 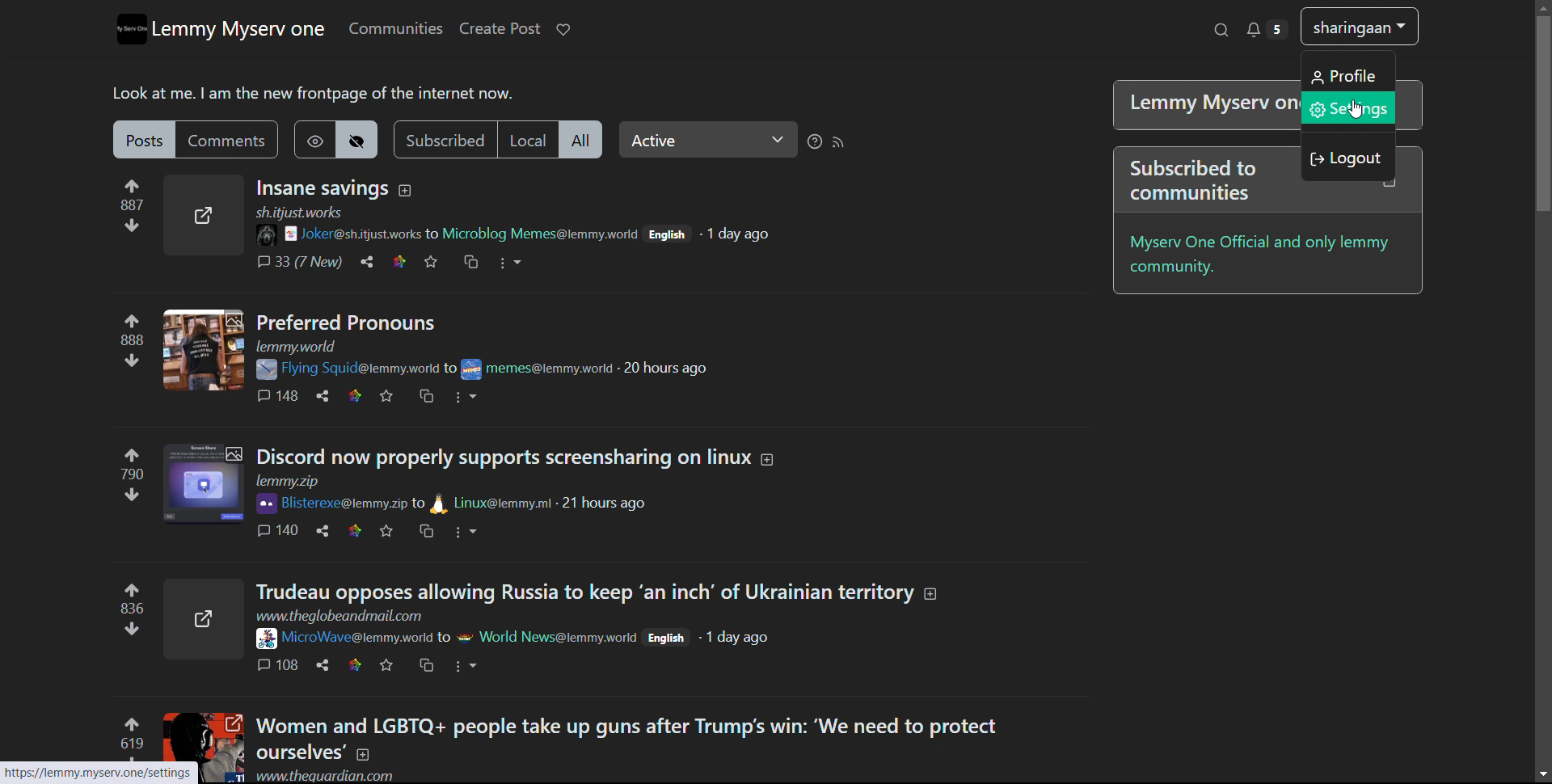 I want to click on favorites, so click(x=387, y=665).